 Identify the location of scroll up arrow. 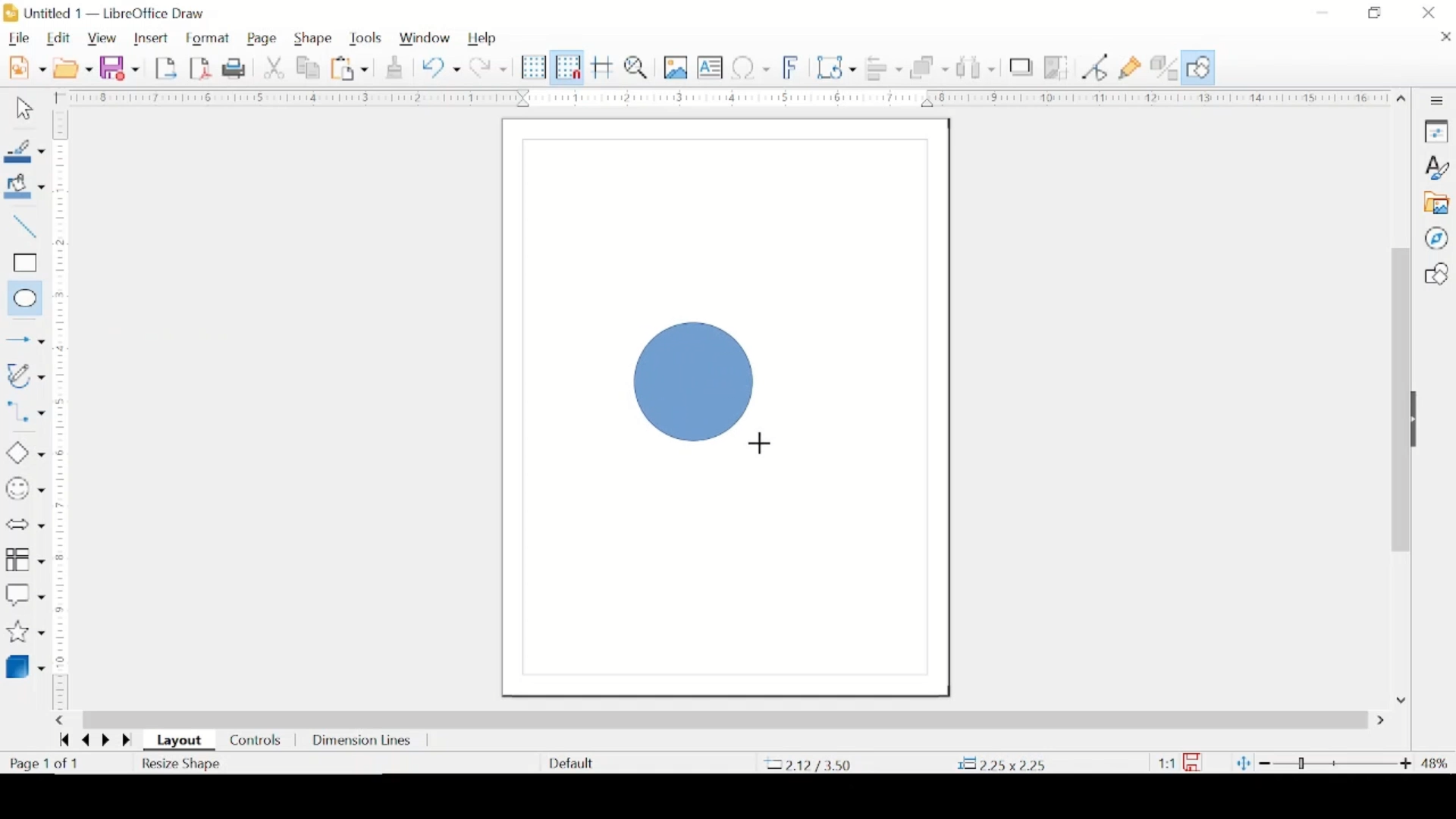
(1402, 96).